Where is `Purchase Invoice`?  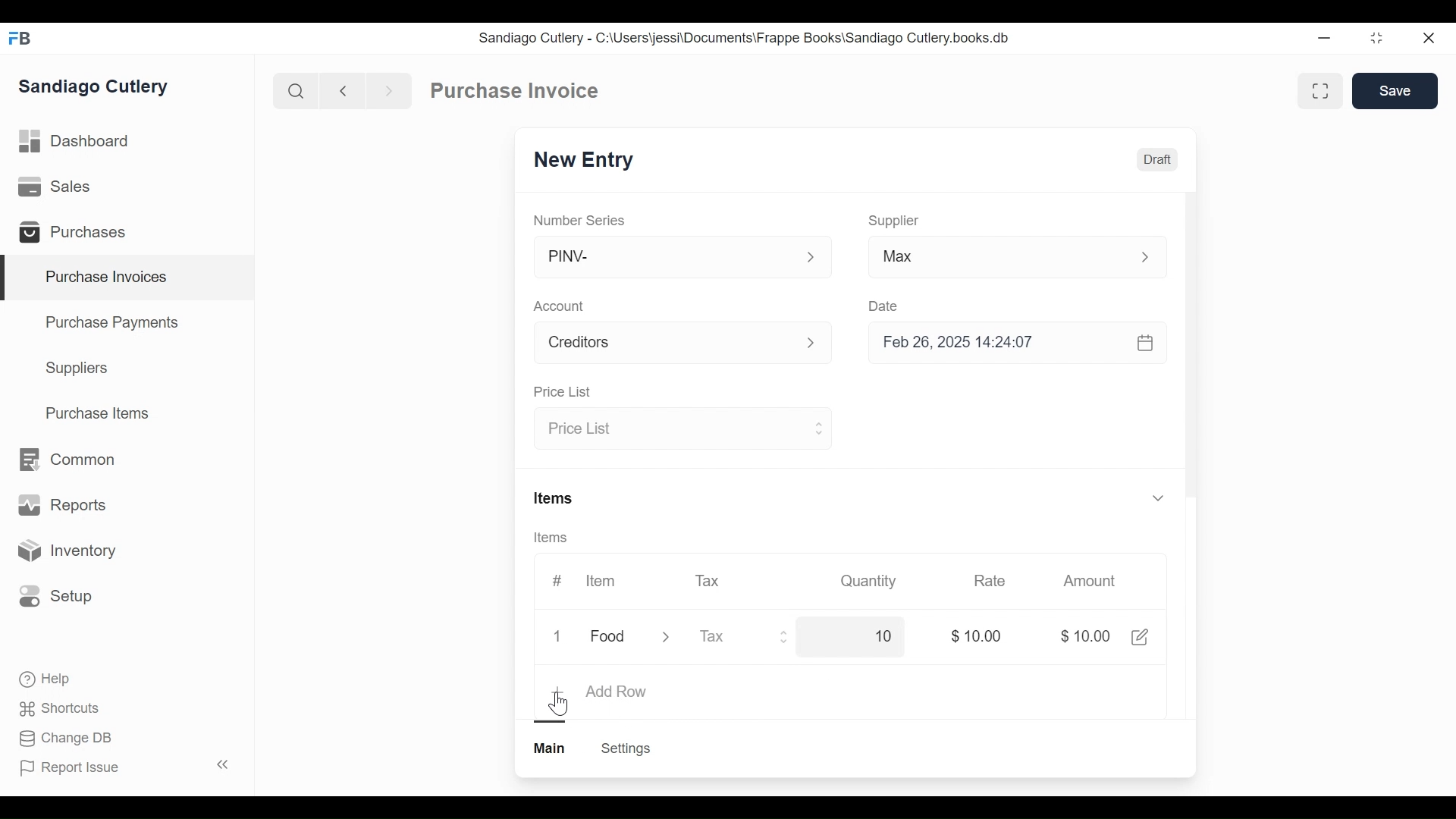
Purchase Invoice is located at coordinates (516, 91).